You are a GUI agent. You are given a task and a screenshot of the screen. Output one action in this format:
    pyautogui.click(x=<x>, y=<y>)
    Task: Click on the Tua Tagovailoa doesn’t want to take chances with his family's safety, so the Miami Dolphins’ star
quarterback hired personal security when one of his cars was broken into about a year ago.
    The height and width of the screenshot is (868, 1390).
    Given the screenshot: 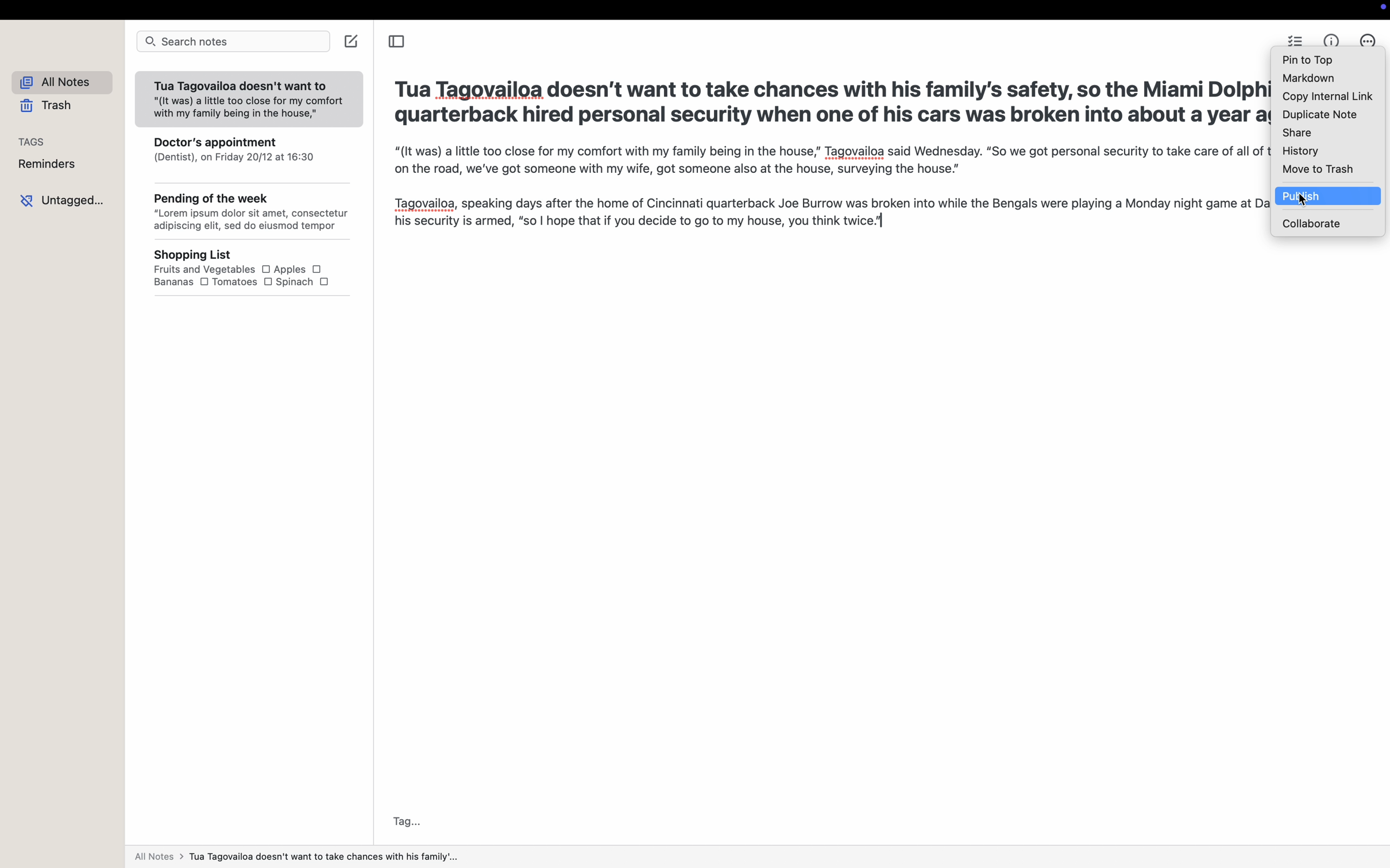 What is the action you would take?
    pyautogui.click(x=827, y=104)
    